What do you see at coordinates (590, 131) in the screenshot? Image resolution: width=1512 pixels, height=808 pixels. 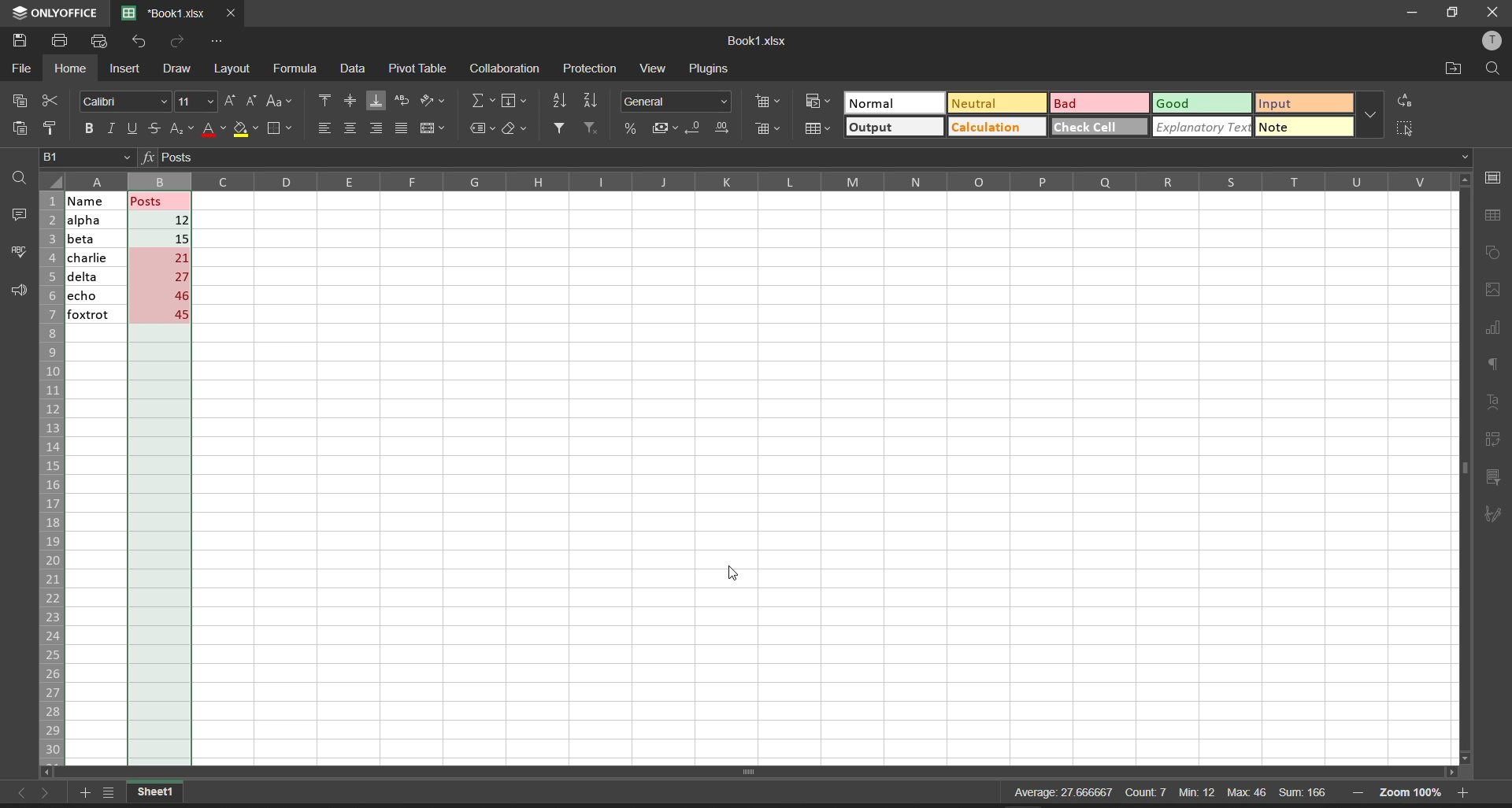 I see `clear filters` at bounding box center [590, 131].